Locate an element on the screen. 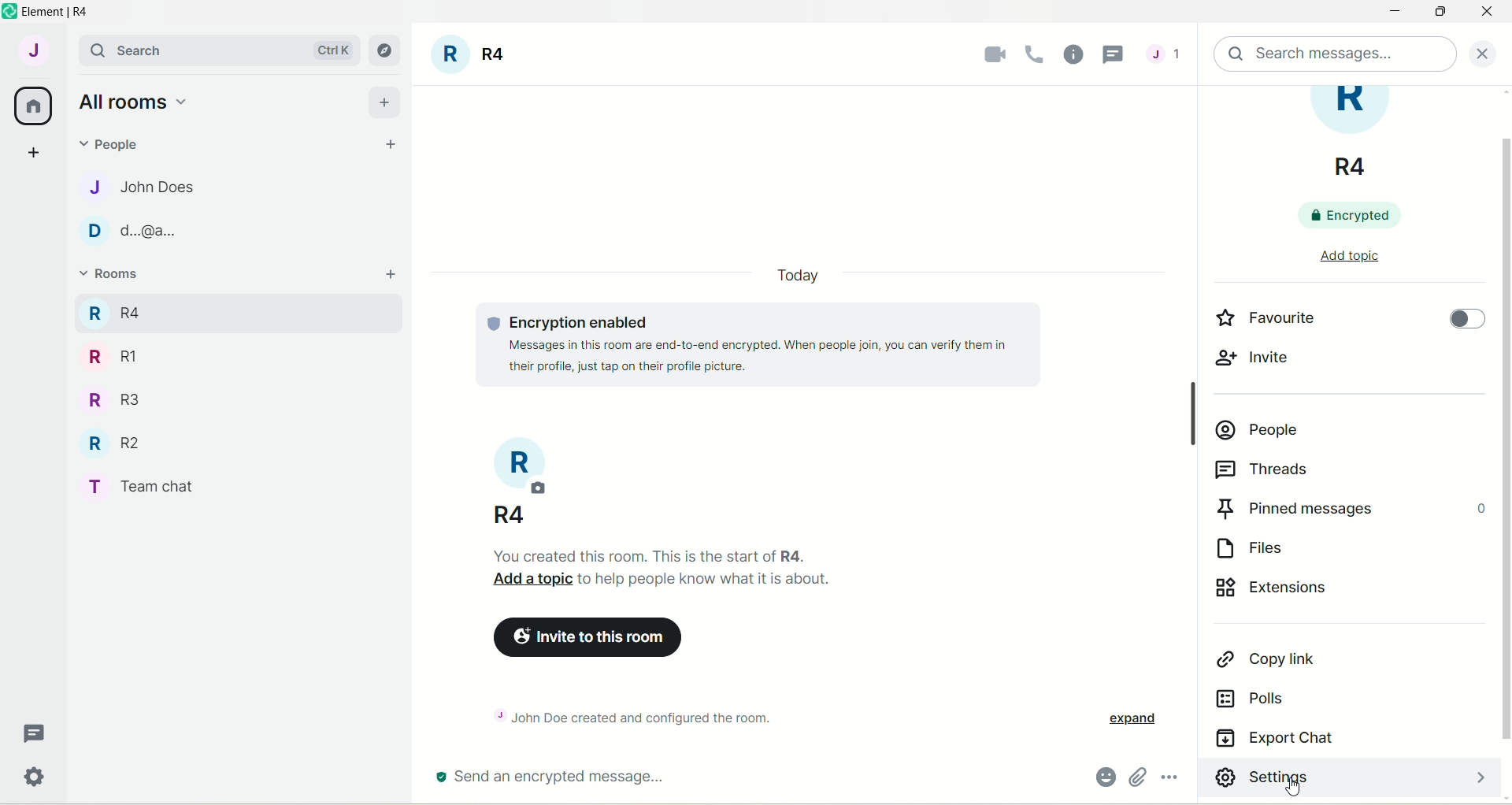  all rooms is located at coordinates (132, 101).